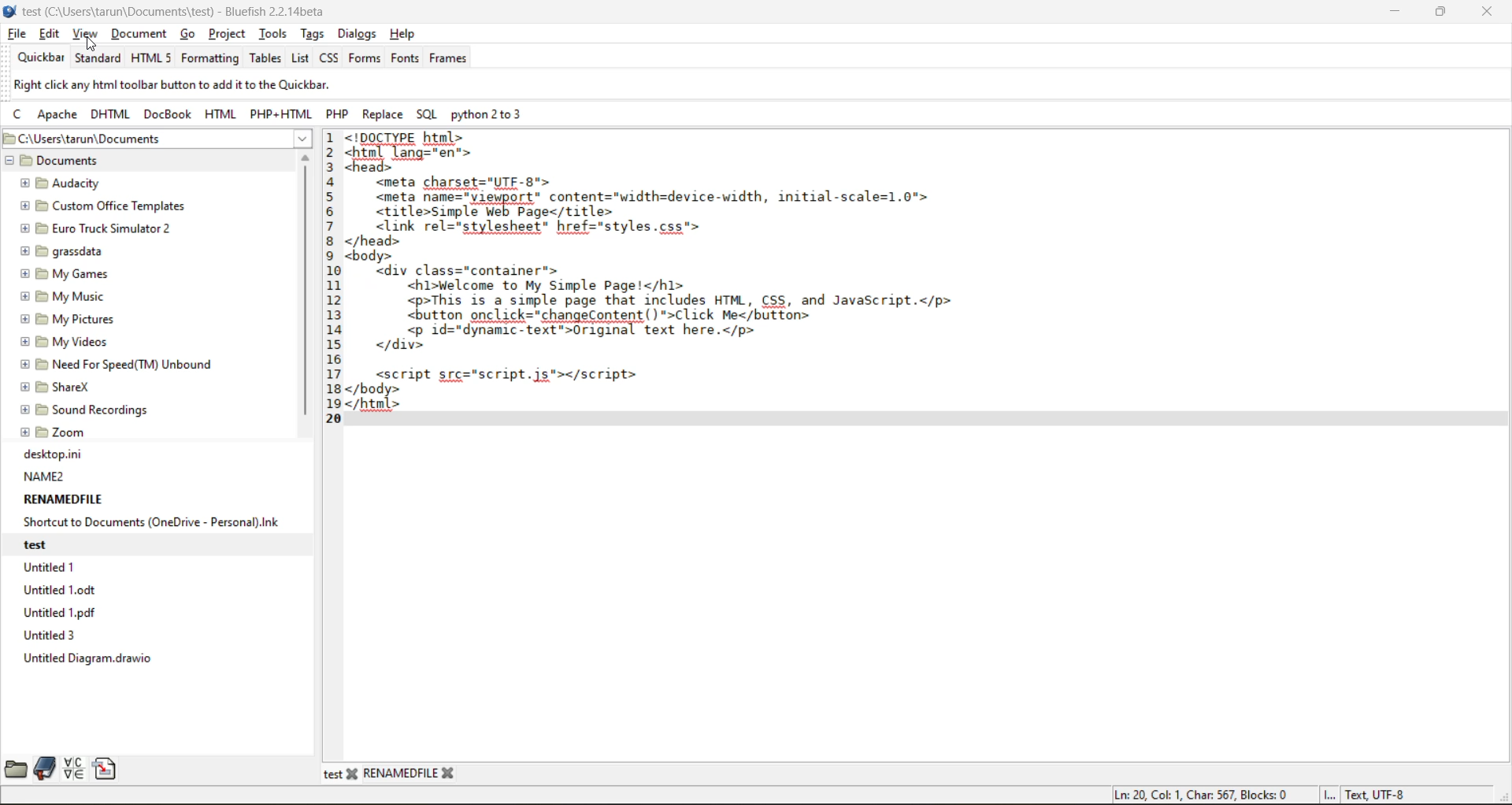 The width and height of the screenshot is (1512, 805). Describe the element at coordinates (1262, 792) in the screenshot. I see `metadata` at that location.